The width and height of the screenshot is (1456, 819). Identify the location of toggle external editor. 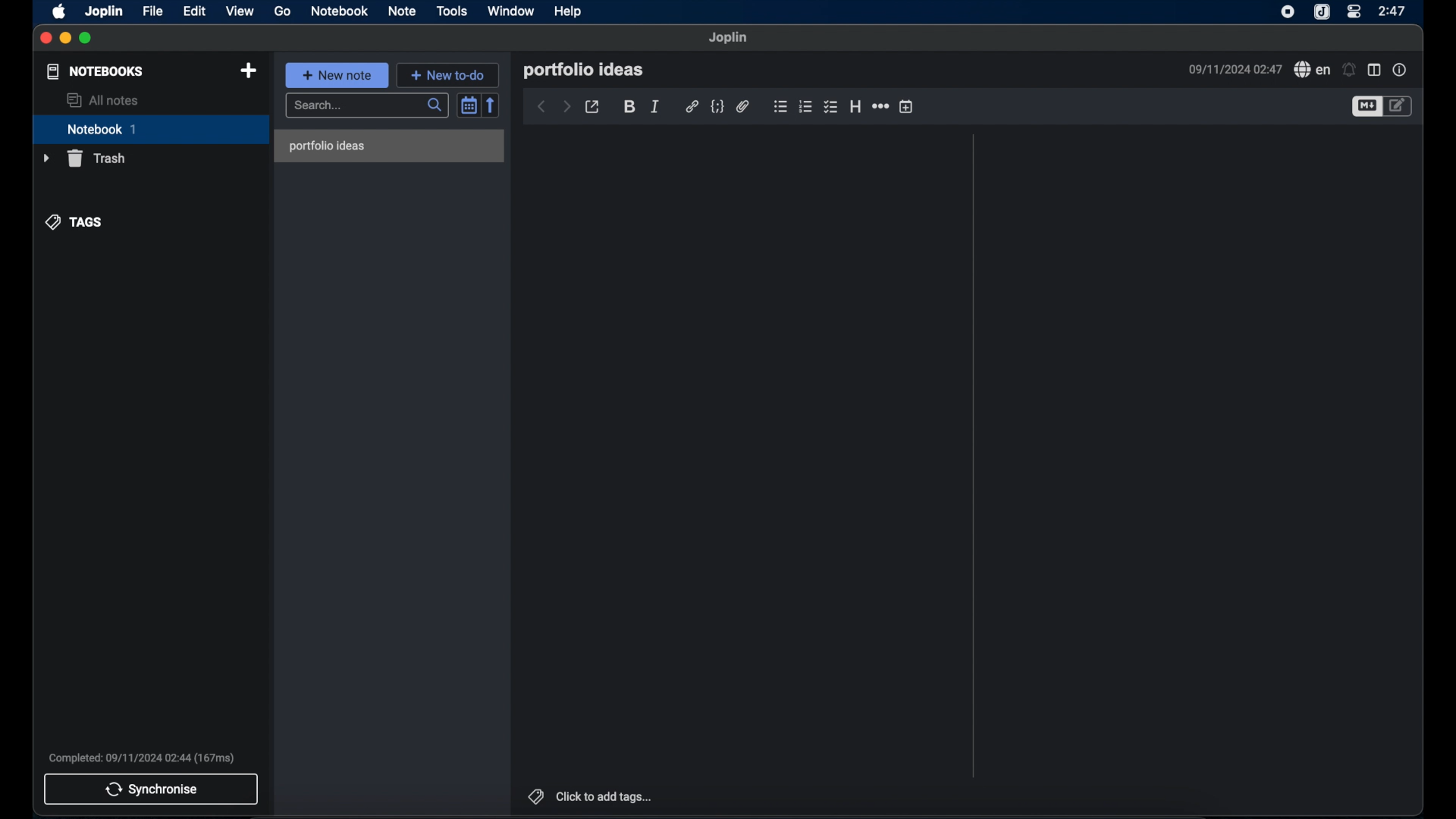
(592, 108).